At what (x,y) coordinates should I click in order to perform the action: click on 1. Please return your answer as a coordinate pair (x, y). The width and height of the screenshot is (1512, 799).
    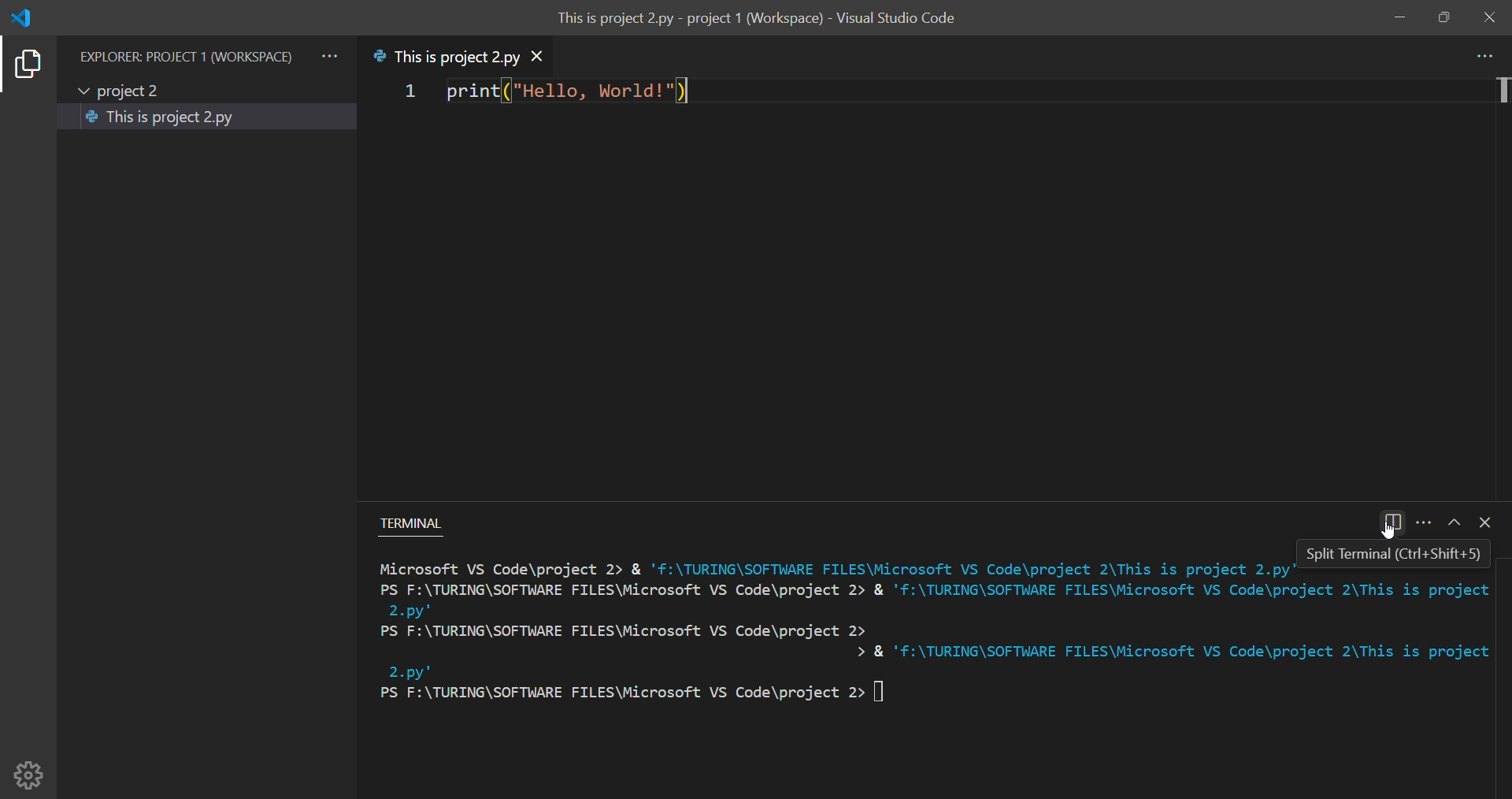
    Looking at the image, I should click on (398, 93).